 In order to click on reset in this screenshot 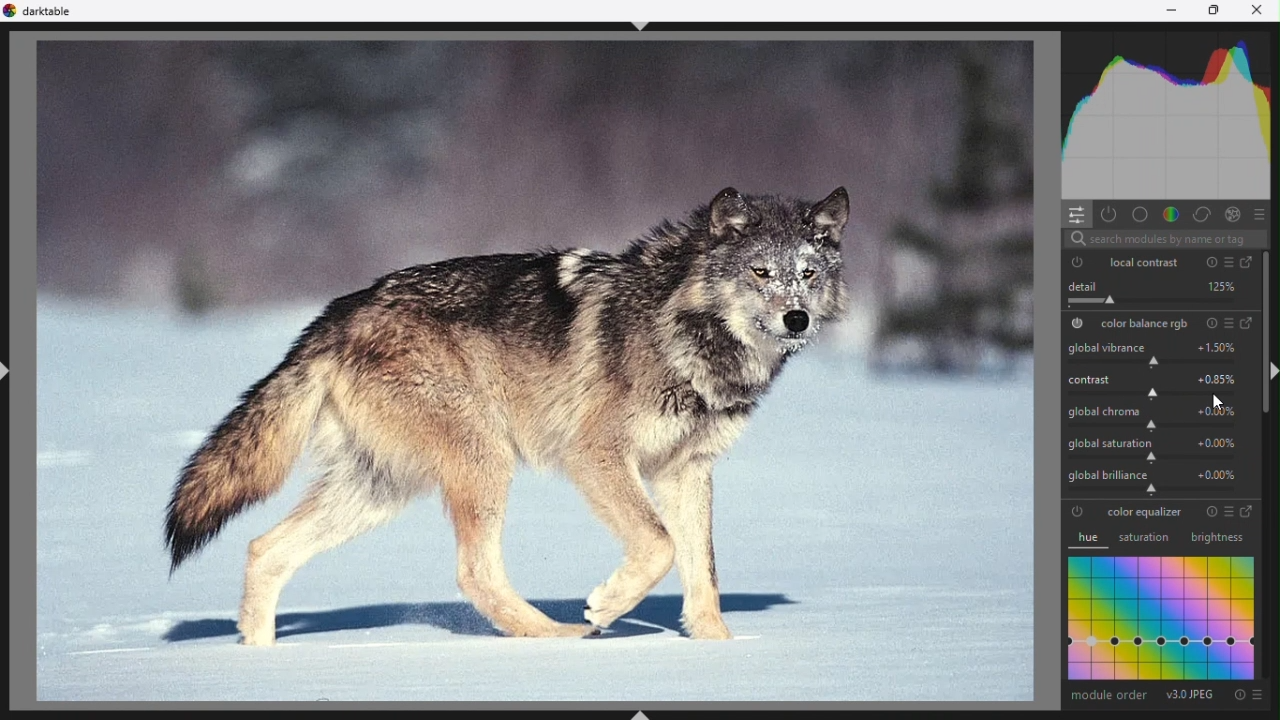, I will do `click(1208, 511)`.